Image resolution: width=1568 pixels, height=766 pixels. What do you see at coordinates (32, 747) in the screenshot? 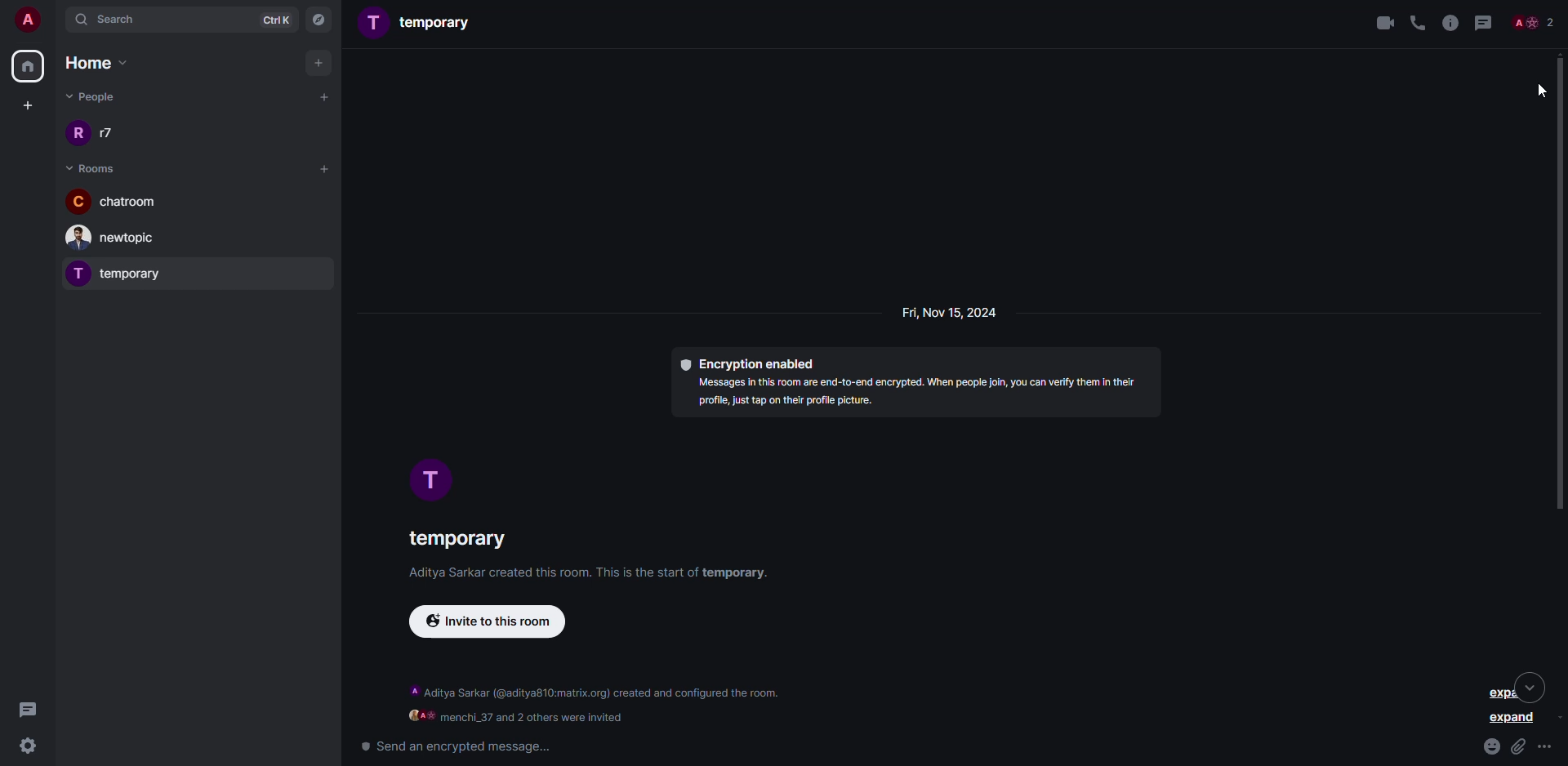
I see `settings` at bounding box center [32, 747].